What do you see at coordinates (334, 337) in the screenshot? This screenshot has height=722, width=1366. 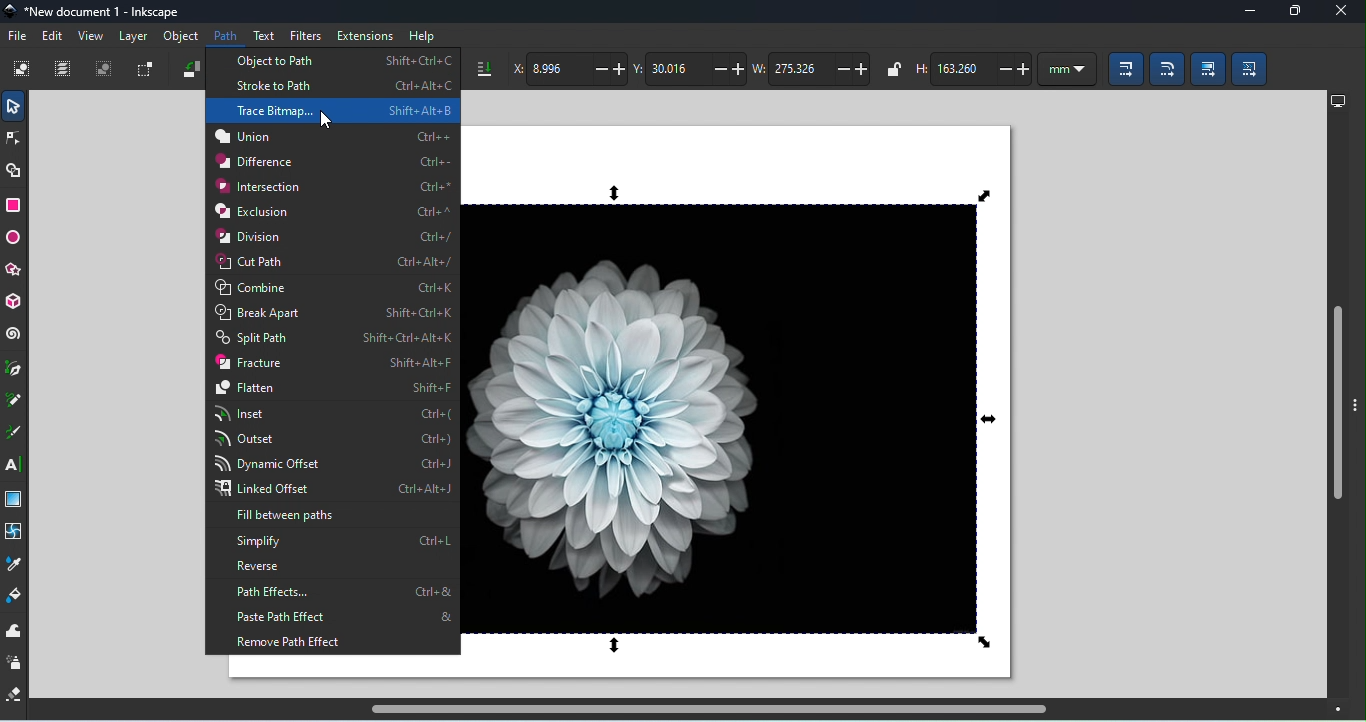 I see `Split path` at bounding box center [334, 337].